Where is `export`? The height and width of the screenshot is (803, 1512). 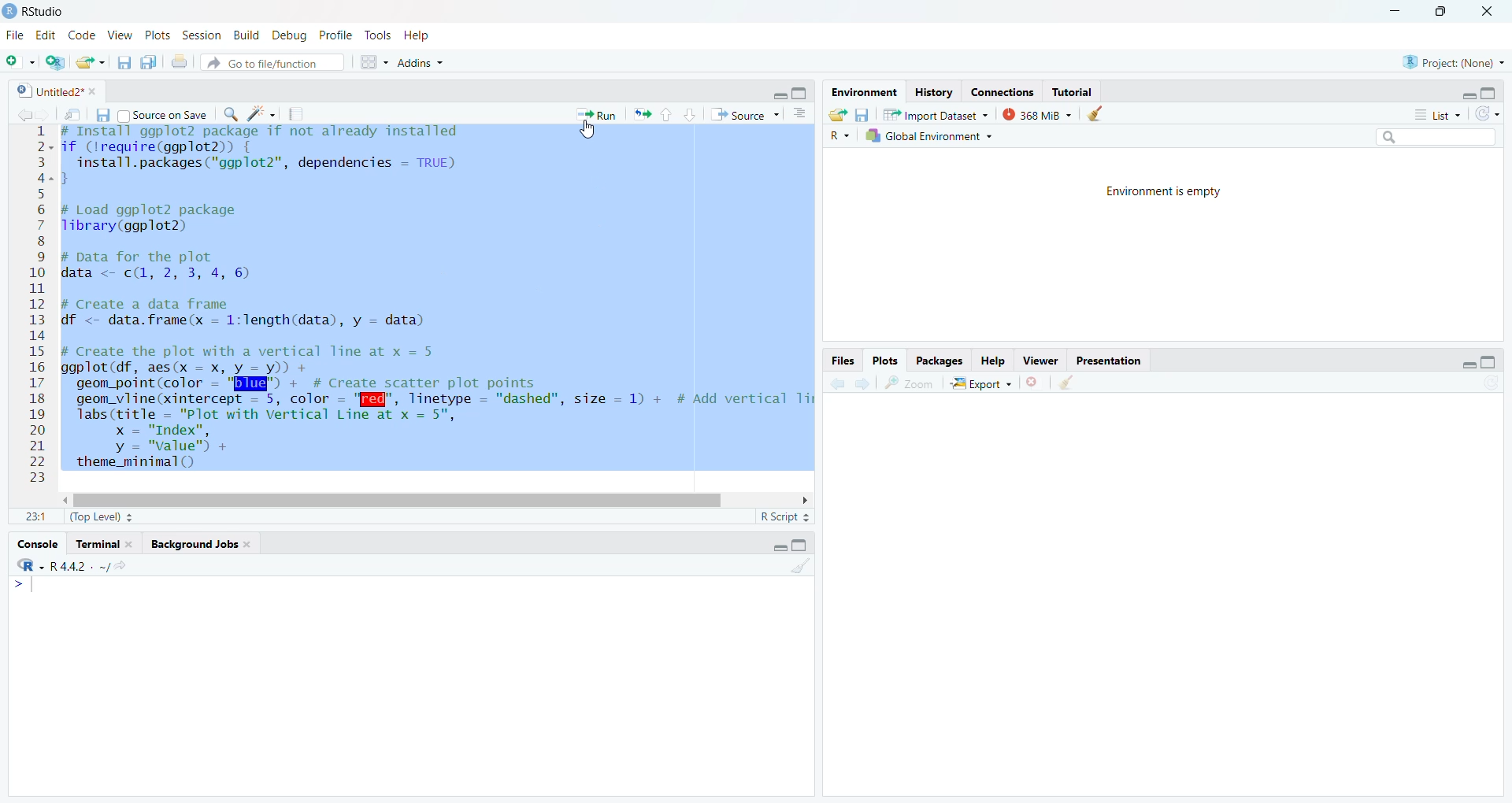
export is located at coordinates (839, 117).